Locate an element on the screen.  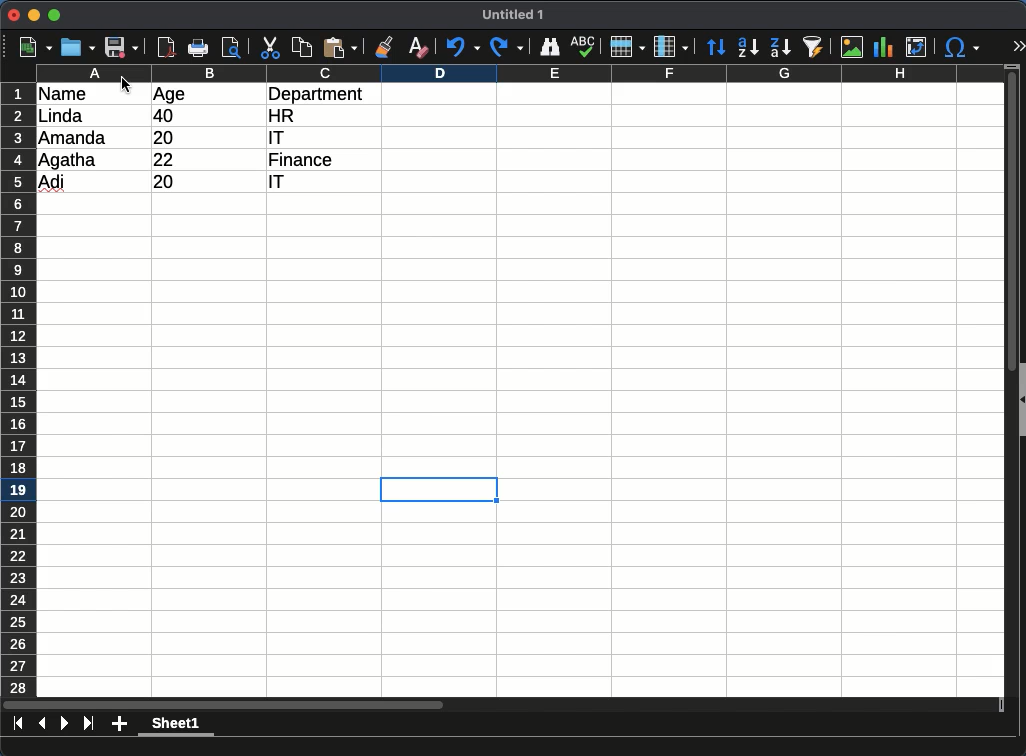
chart is located at coordinates (884, 47).